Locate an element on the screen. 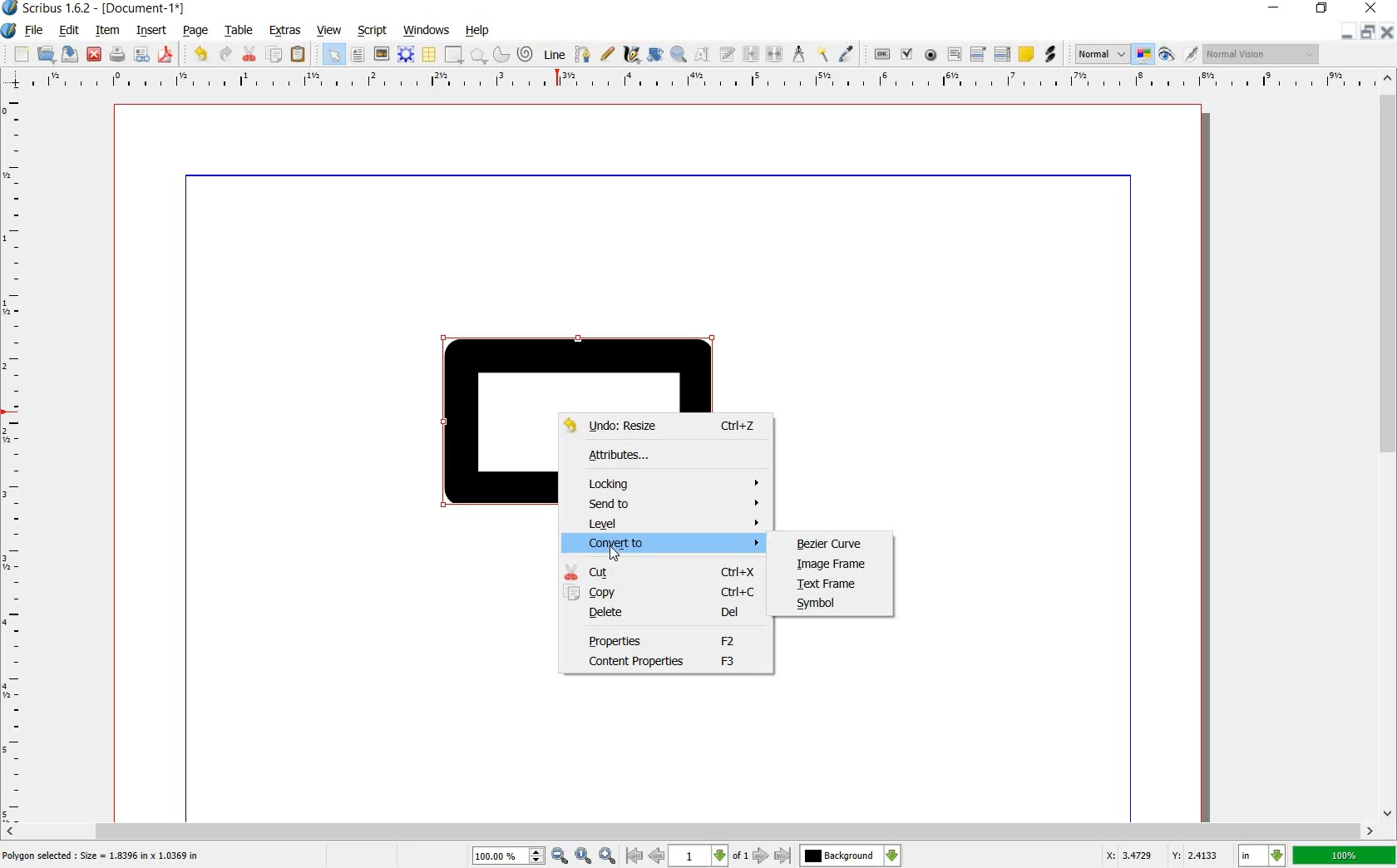 This screenshot has height=868, width=1397. ruler is located at coordinates (689, 81).